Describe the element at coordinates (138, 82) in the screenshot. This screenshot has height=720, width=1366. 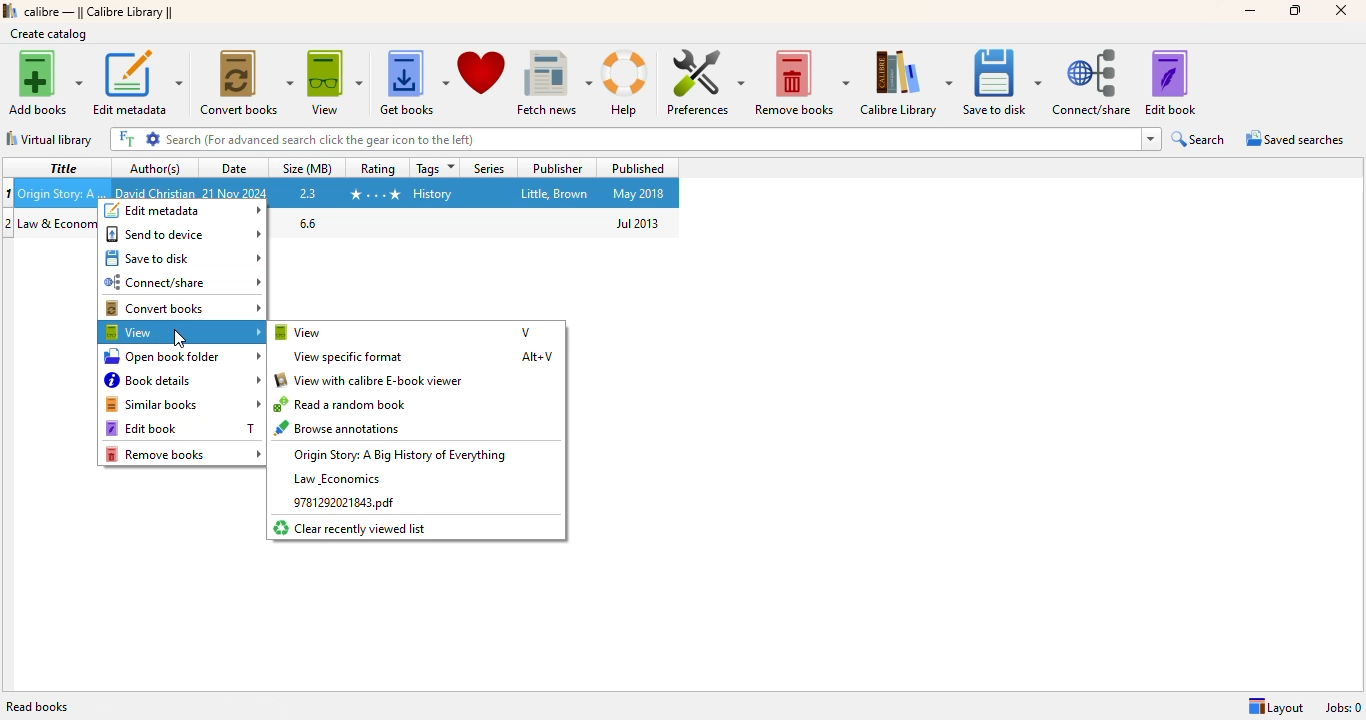
I see `edit metadata` at that location.